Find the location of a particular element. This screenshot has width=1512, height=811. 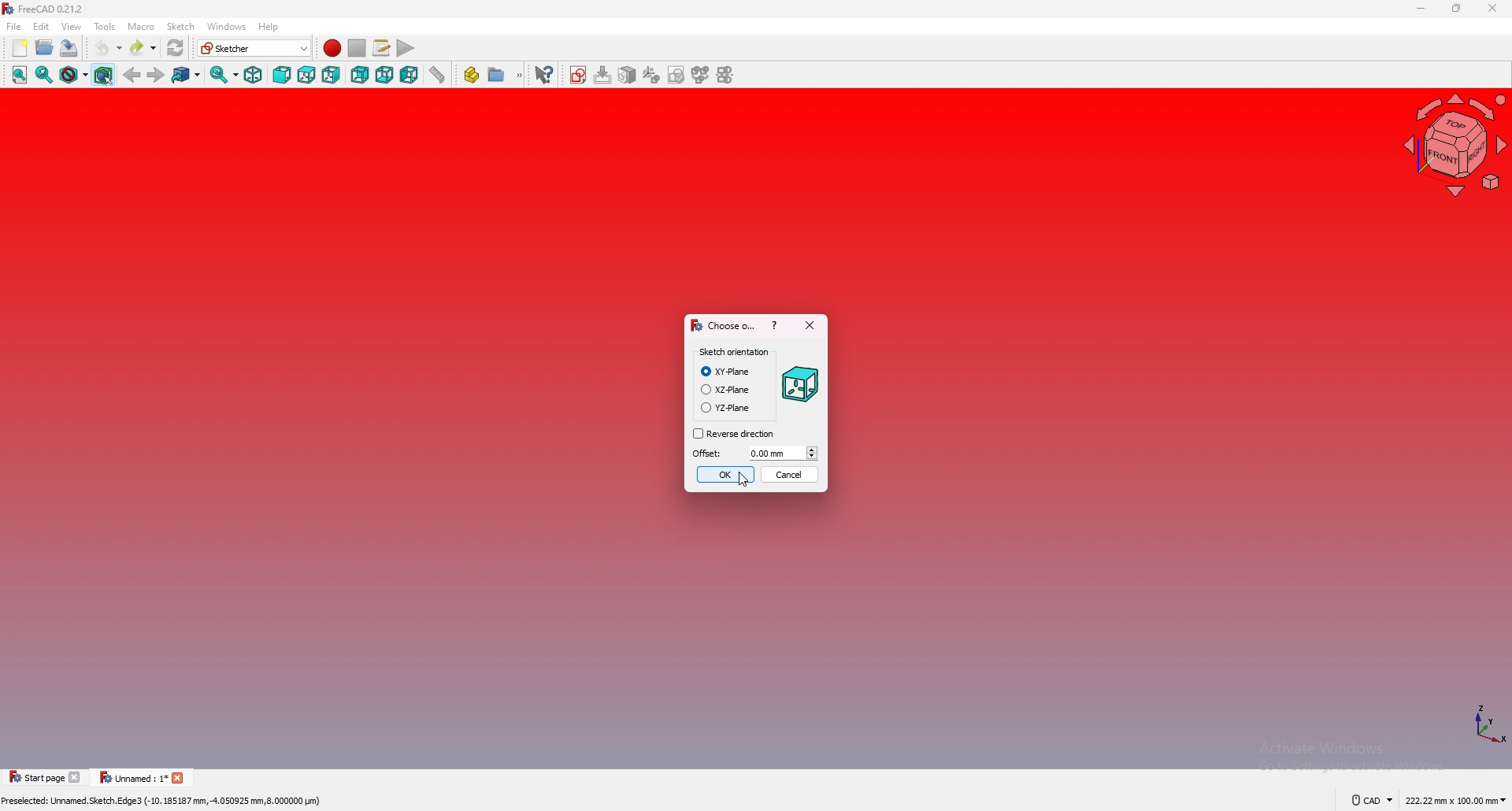

left is located at coordinates (409, 74).